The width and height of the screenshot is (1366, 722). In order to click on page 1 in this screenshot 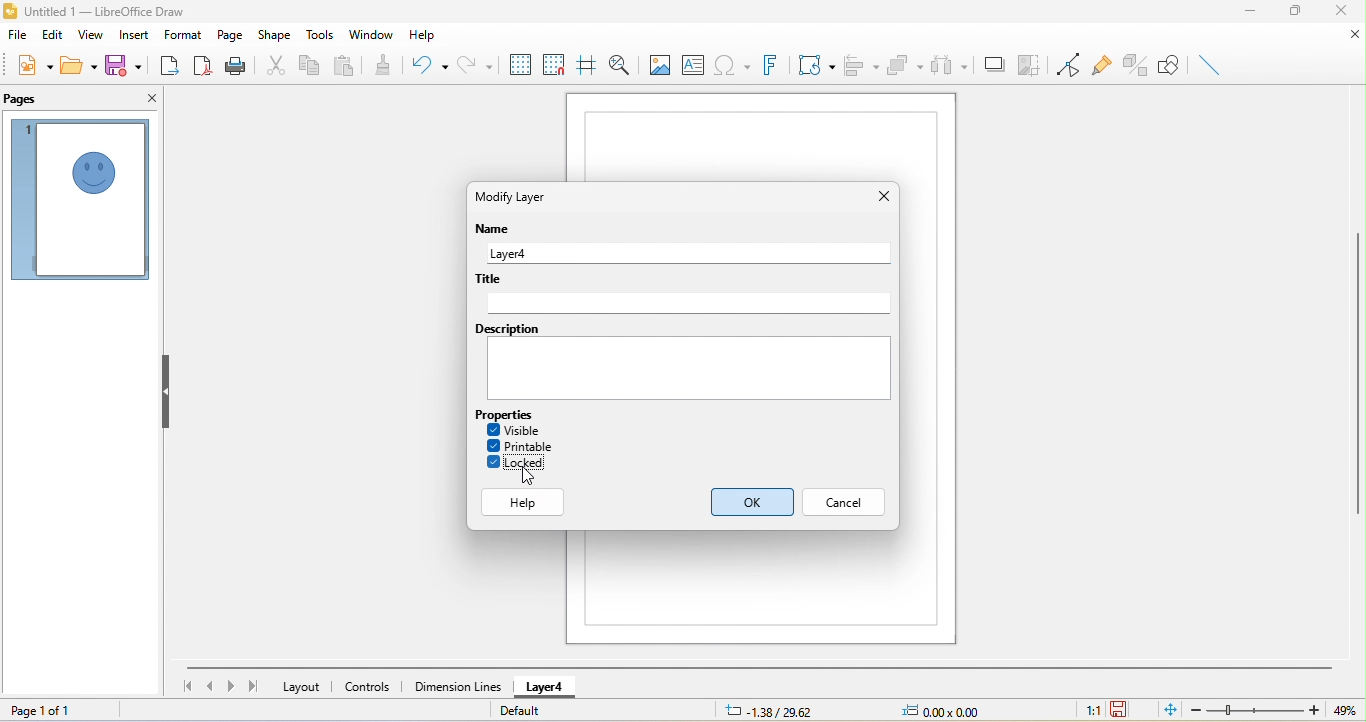, I will do `click(79, 200)`.